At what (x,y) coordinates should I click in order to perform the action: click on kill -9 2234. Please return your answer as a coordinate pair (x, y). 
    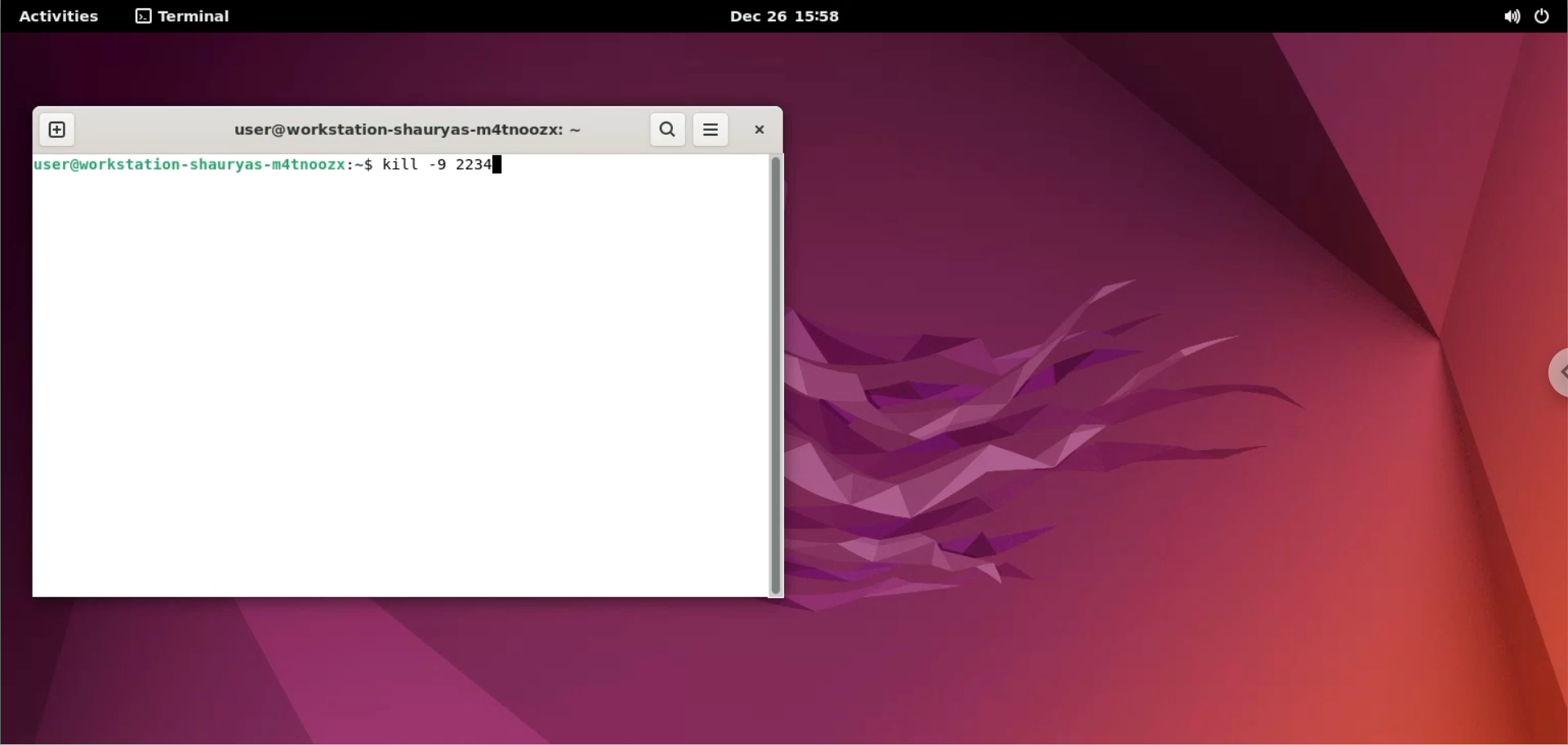
    Looking at the image, I should click on (434, 166).